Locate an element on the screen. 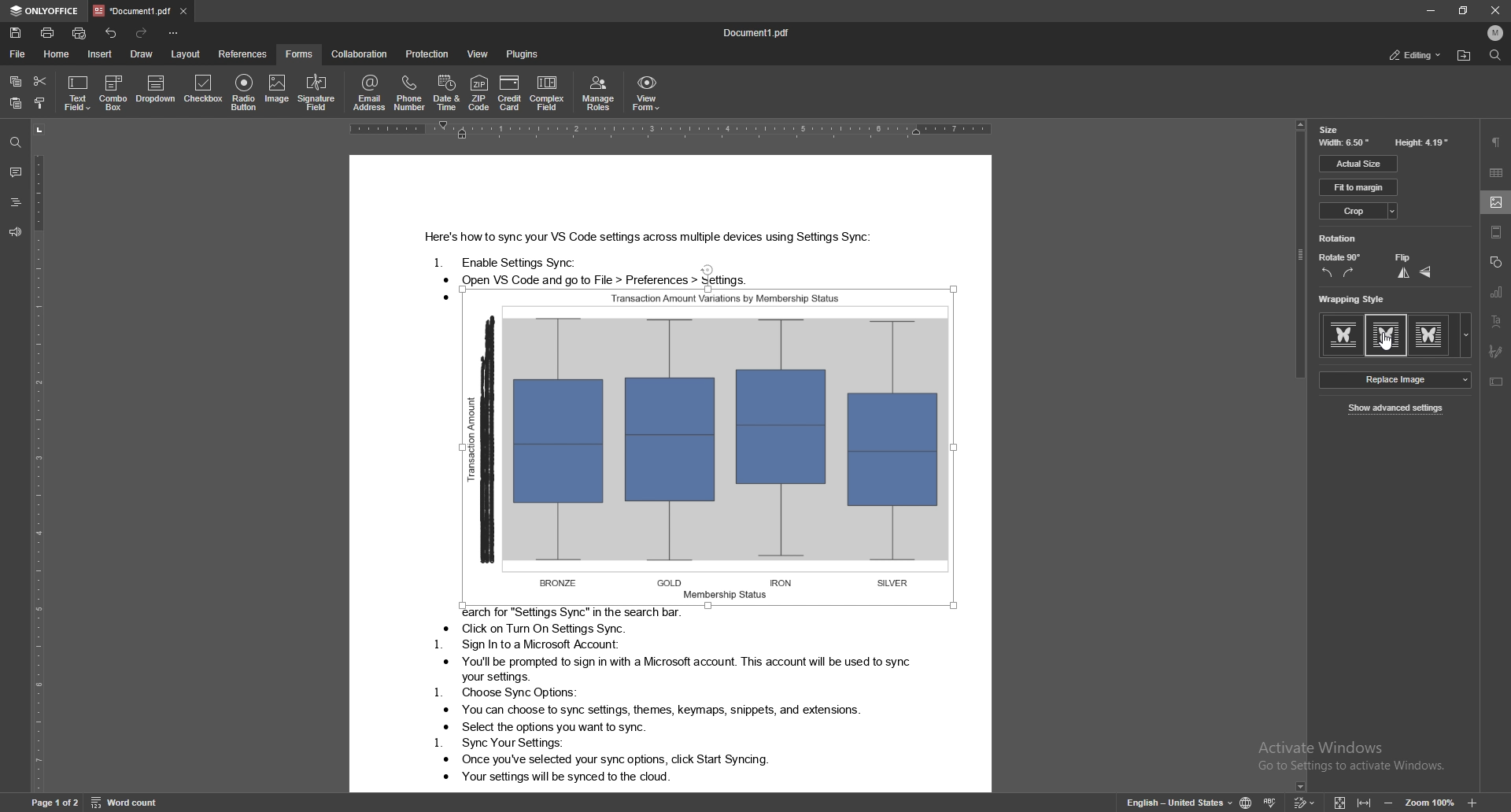 This screenshot has height=812, width=1511. page is located at coordinates (54, 801).